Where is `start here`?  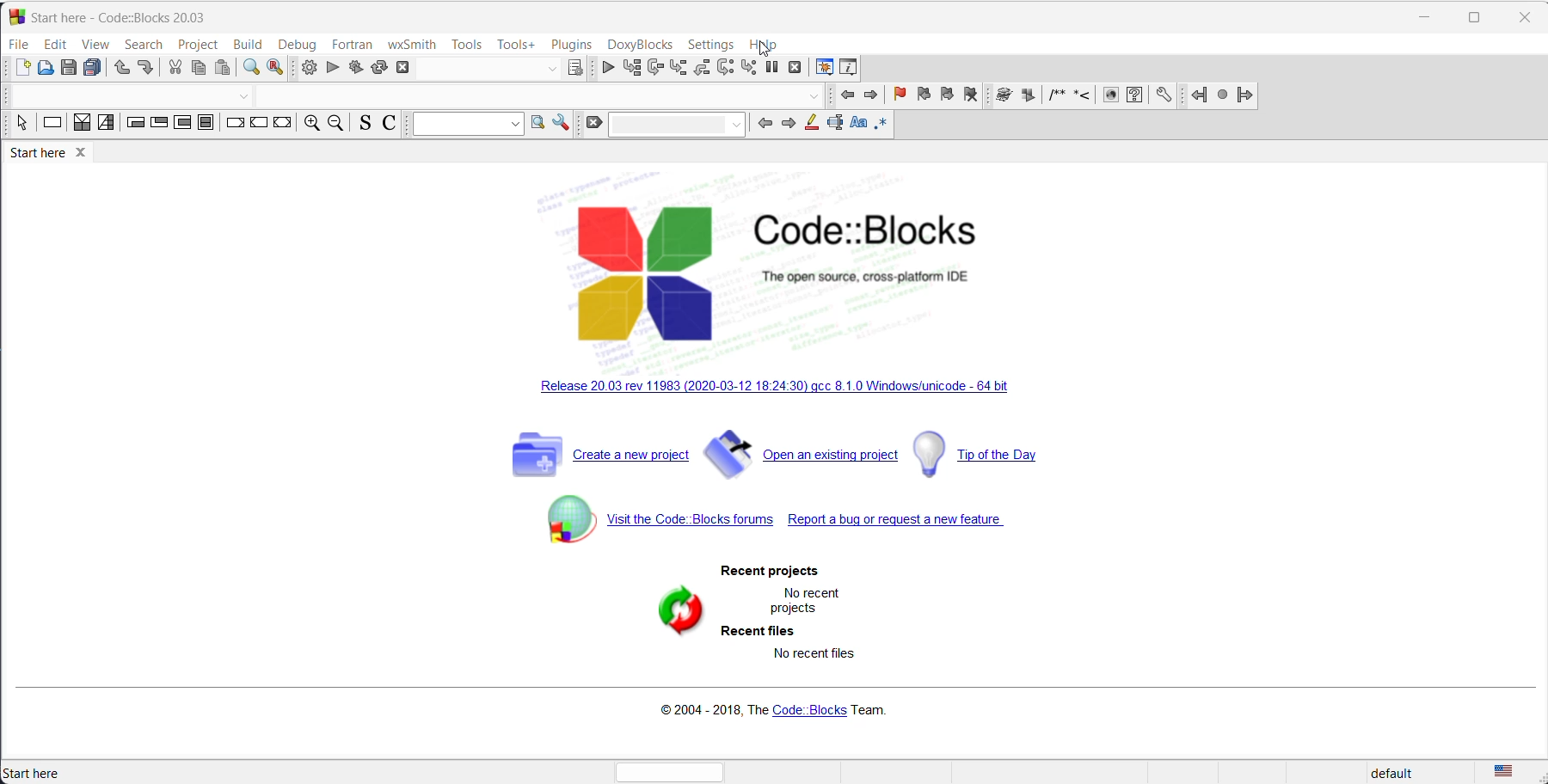
start here is located at coordinates (36, 773).